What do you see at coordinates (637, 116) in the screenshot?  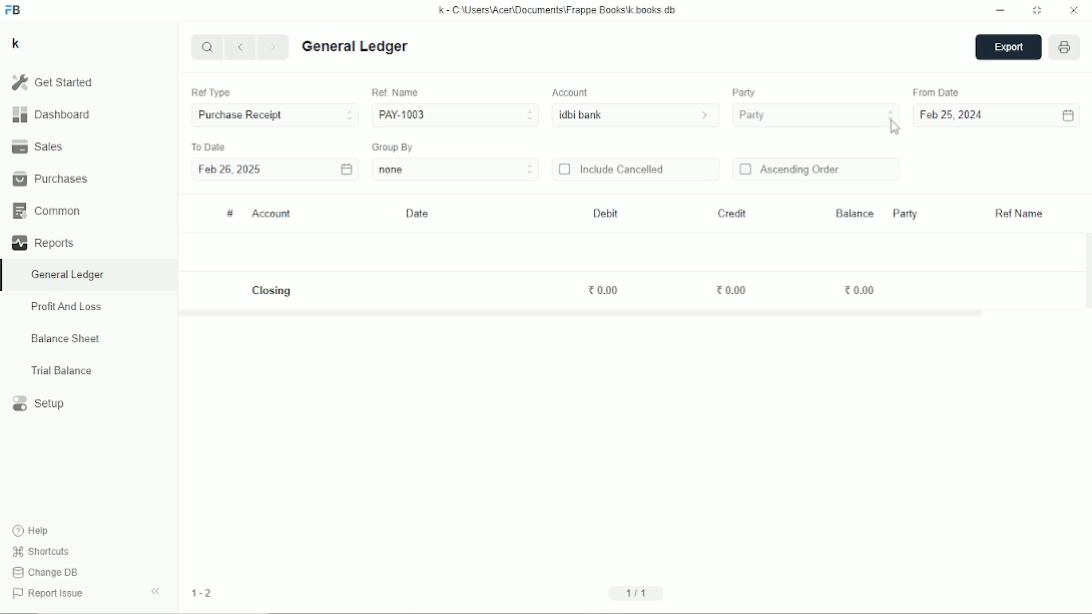 I see `idbi bank` at bounding box center [637, 116].